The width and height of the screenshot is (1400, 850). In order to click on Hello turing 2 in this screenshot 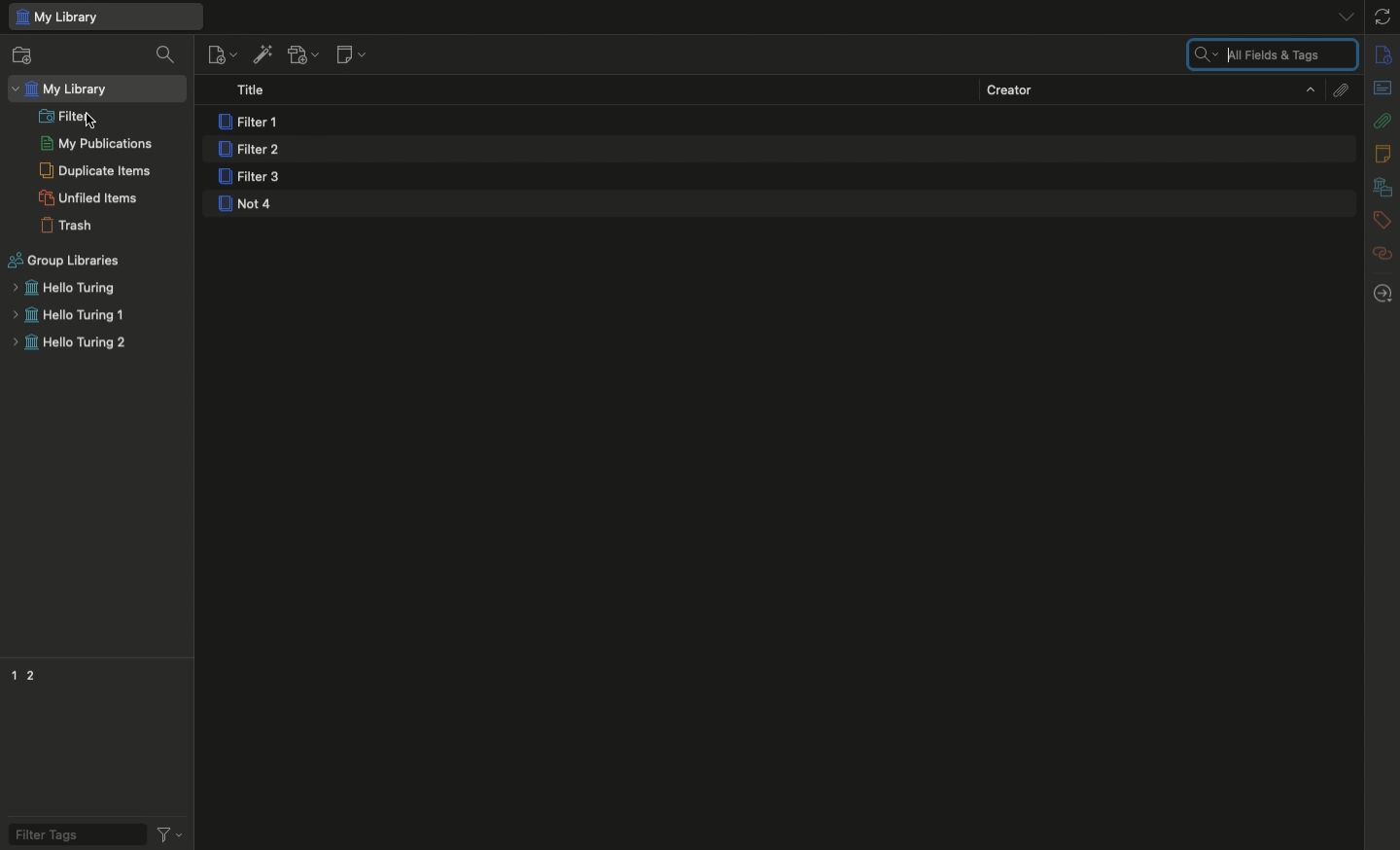, I will do `click(69, 345)`.